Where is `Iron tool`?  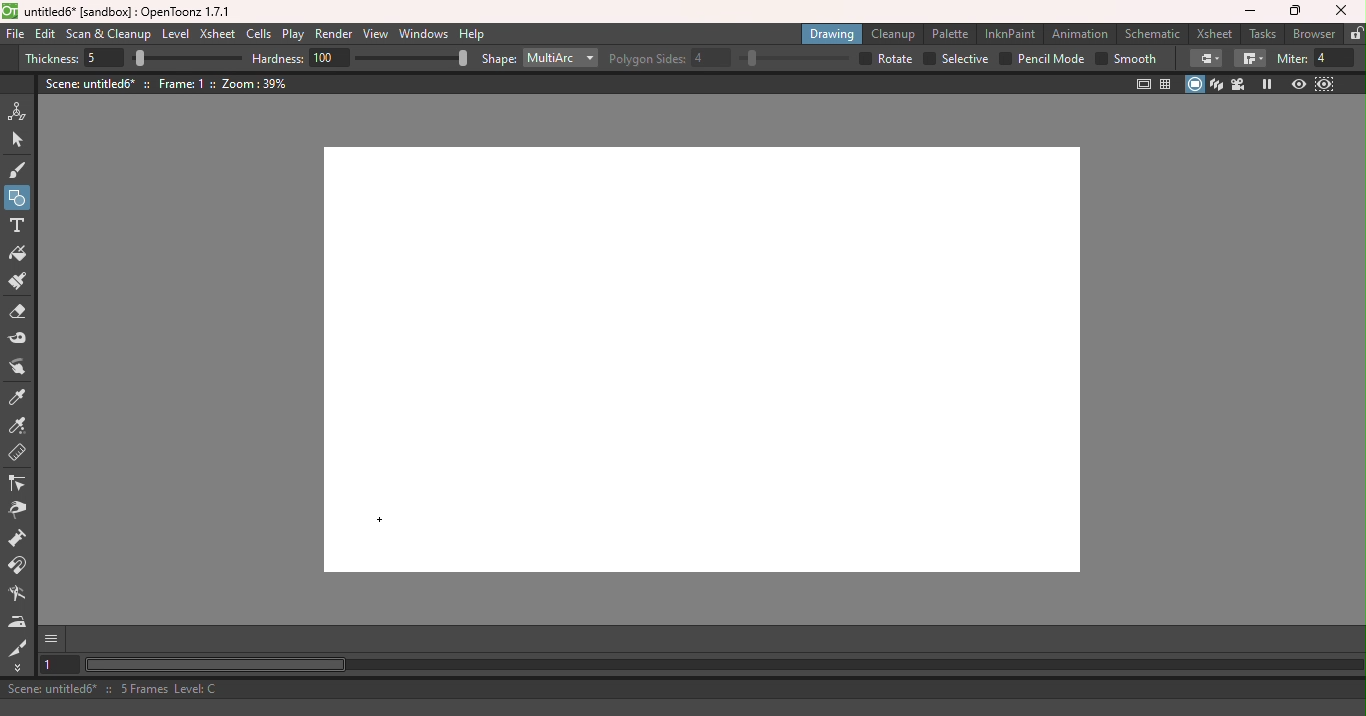
Iron tool is located at coordinates (18, 623).